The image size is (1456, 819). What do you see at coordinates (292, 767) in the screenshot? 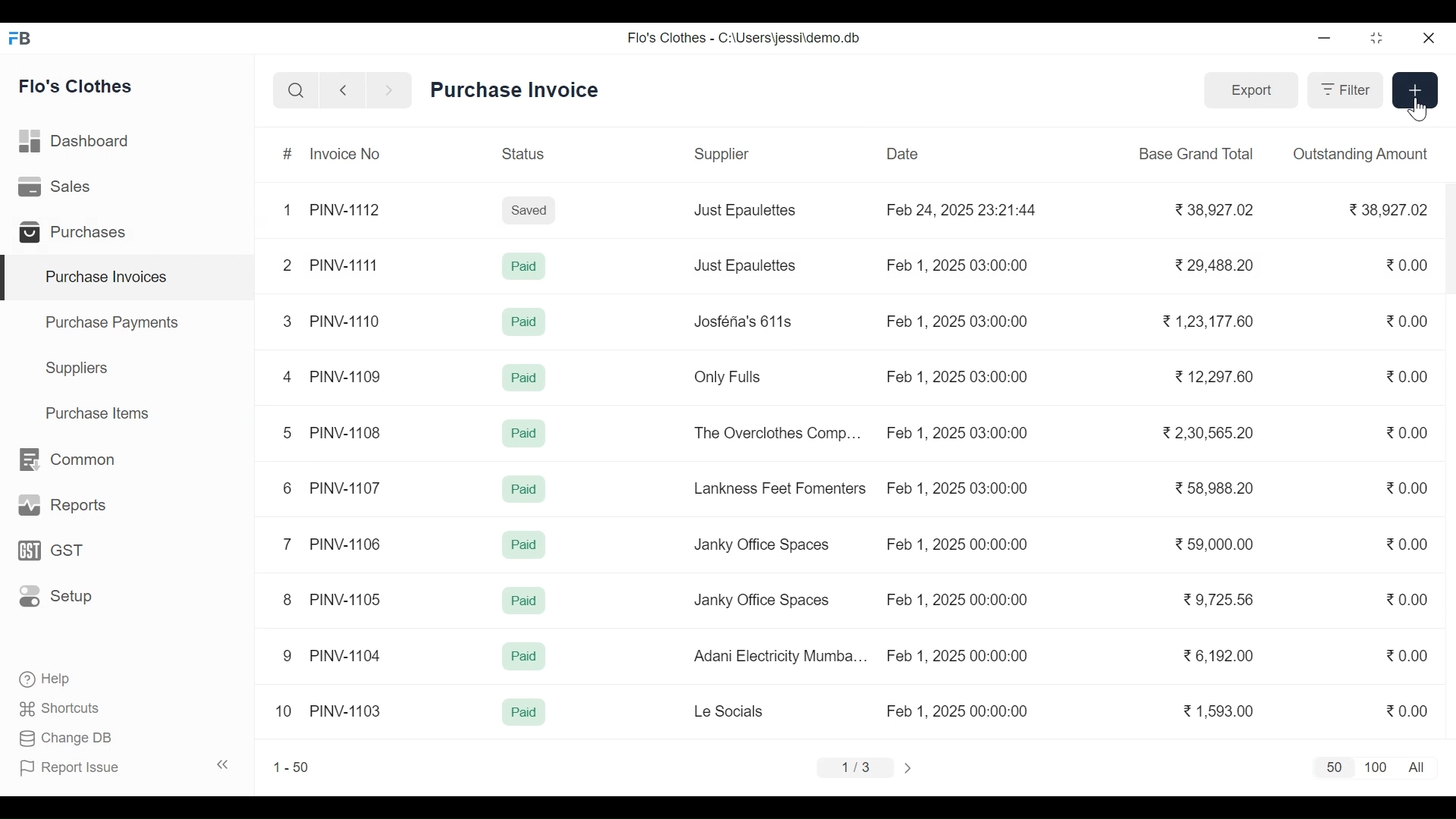
I see `1-50` at bounding box center [292, 767].